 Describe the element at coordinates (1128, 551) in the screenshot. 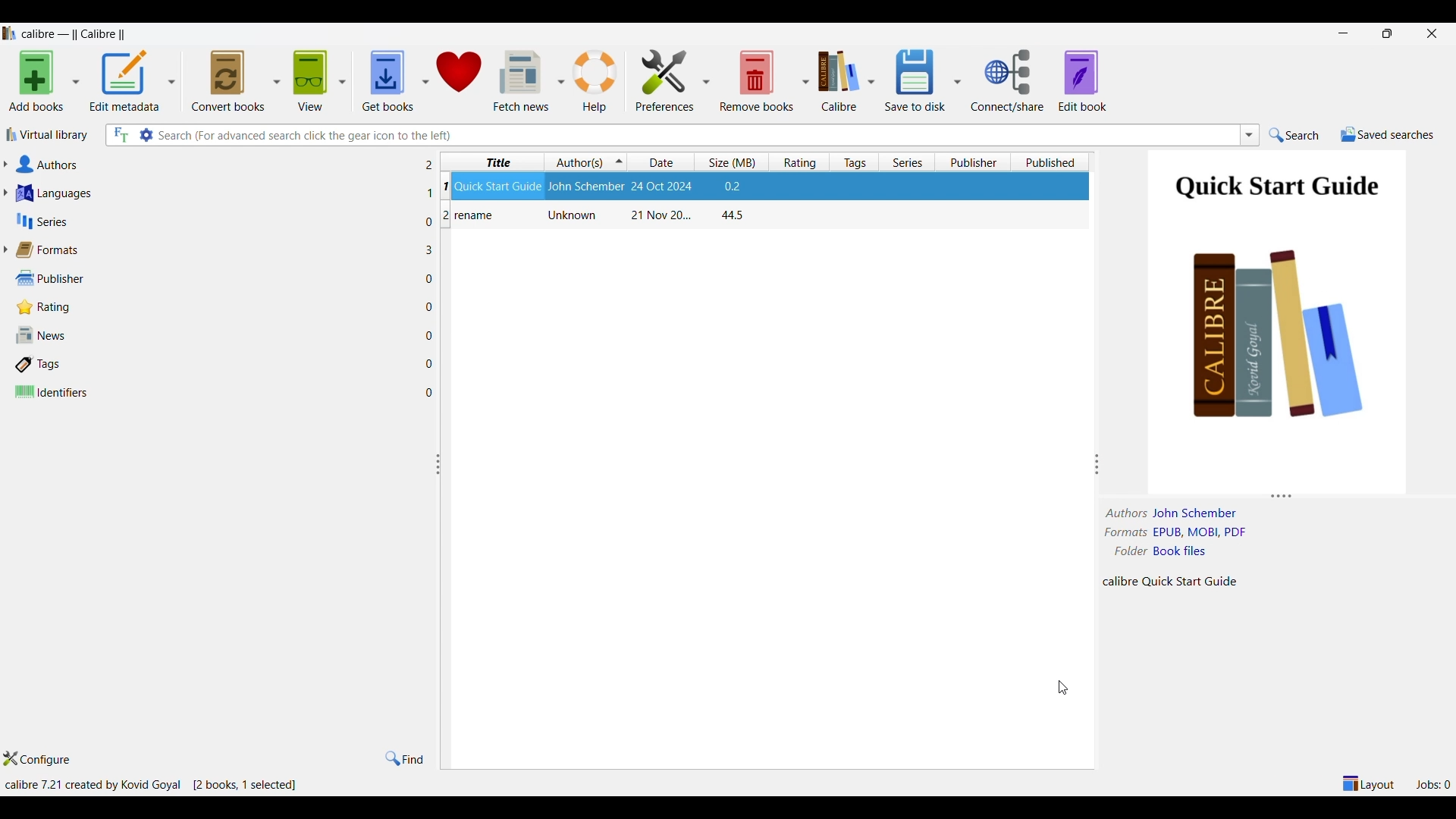

I see `folder` at that location.